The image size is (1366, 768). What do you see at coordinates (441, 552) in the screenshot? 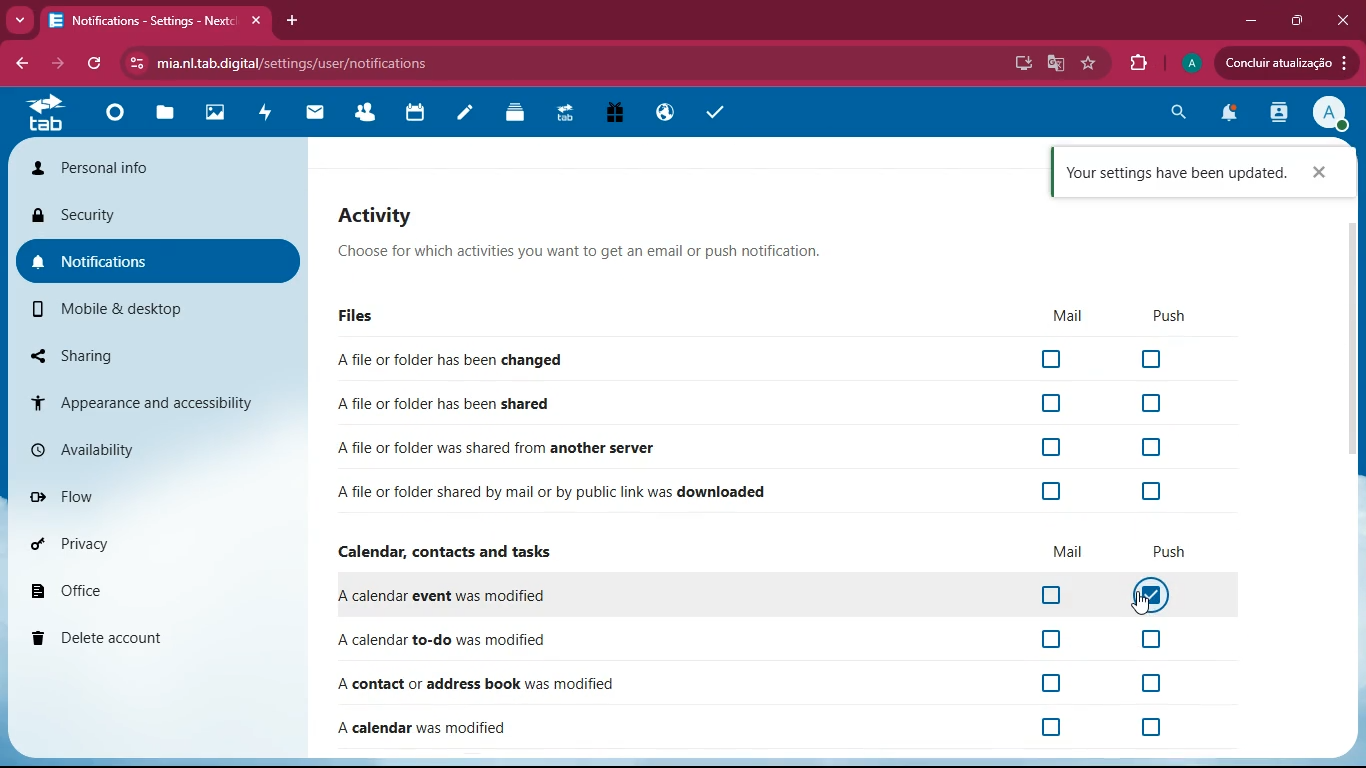
I see `Calendar, contacts and tasks` at bounding box center [441, 552].